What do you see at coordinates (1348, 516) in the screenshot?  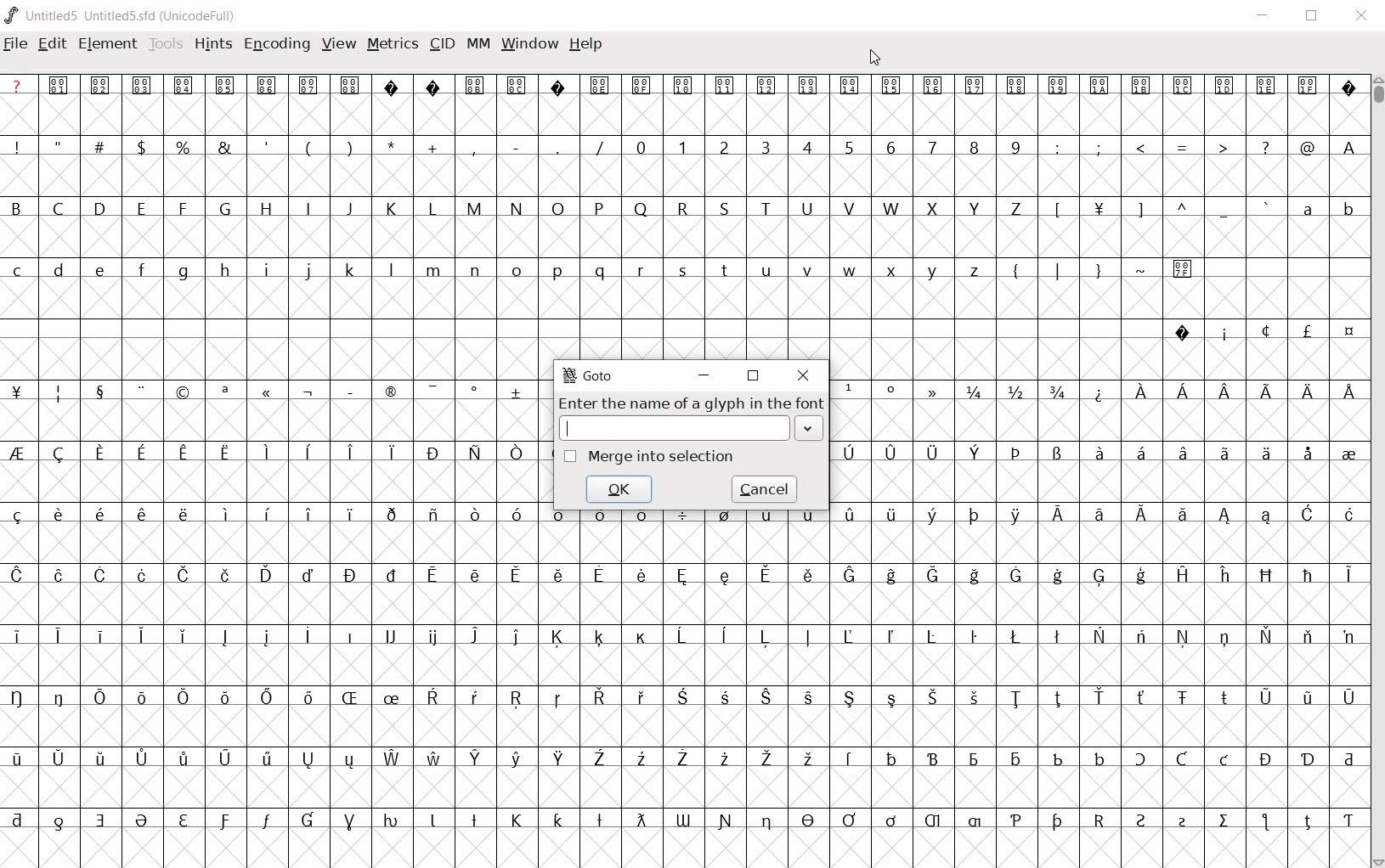 I see `Symbol` at bounding box center [1348, 516].